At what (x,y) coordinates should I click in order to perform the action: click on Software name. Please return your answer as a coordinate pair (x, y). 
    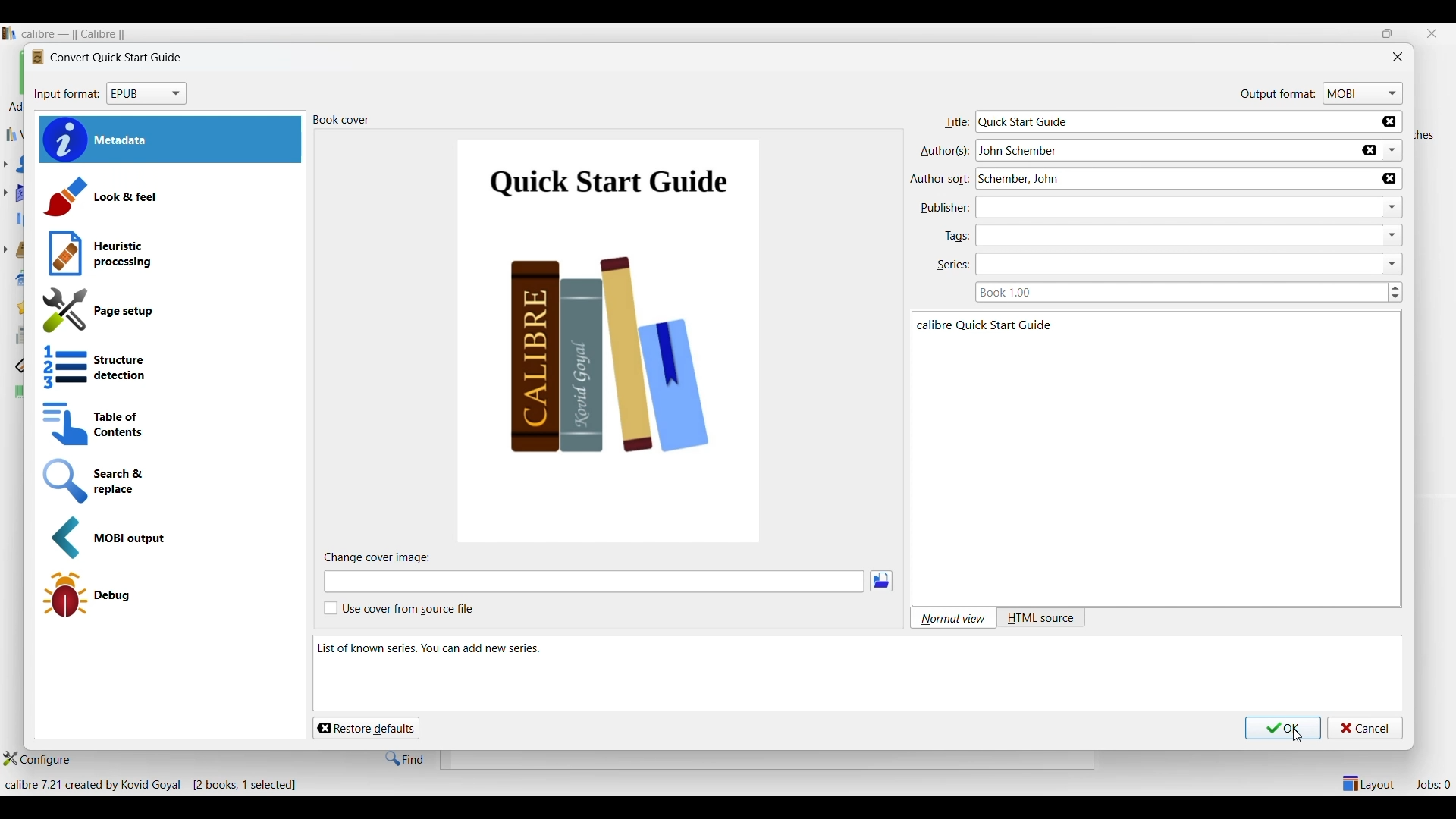
    Looking at the image, I should click on (77, 34).